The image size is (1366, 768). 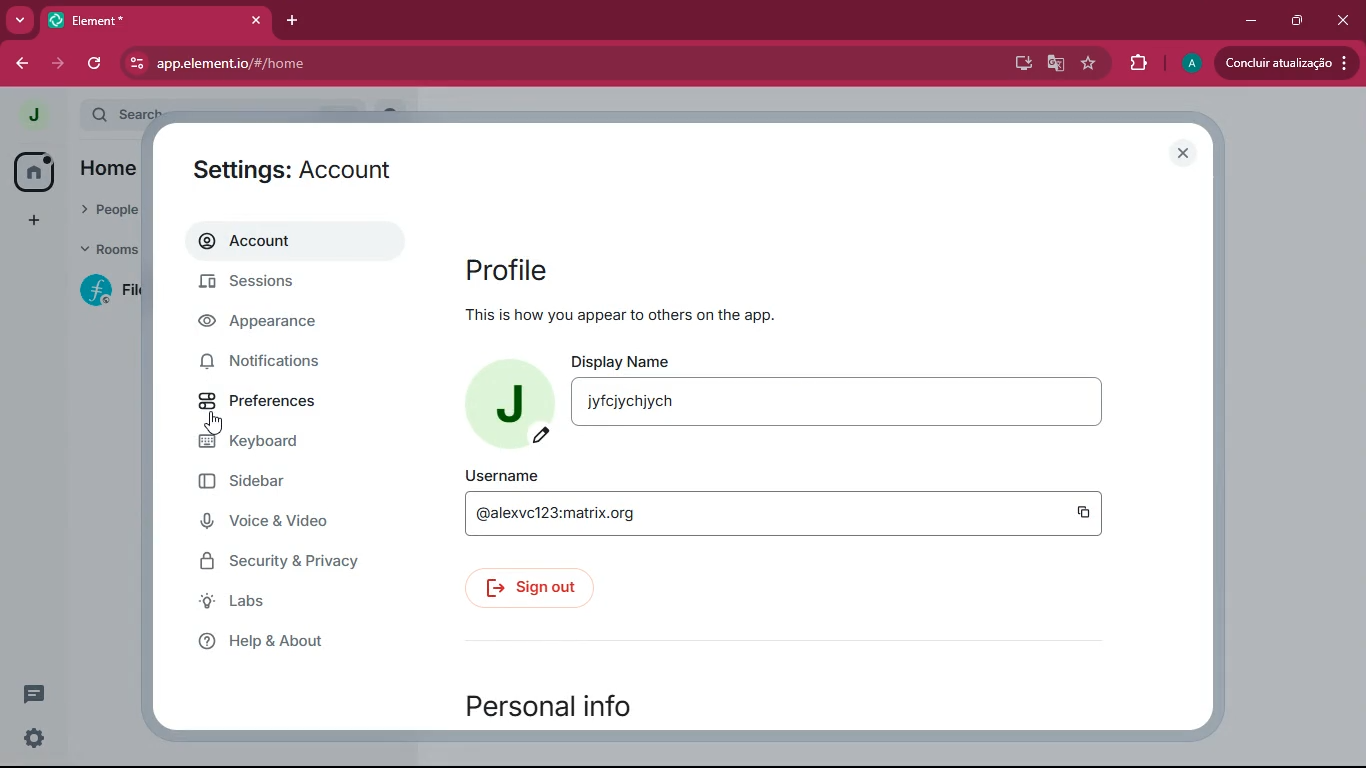 I want to click on profile picture, so click(x=499, y=399).